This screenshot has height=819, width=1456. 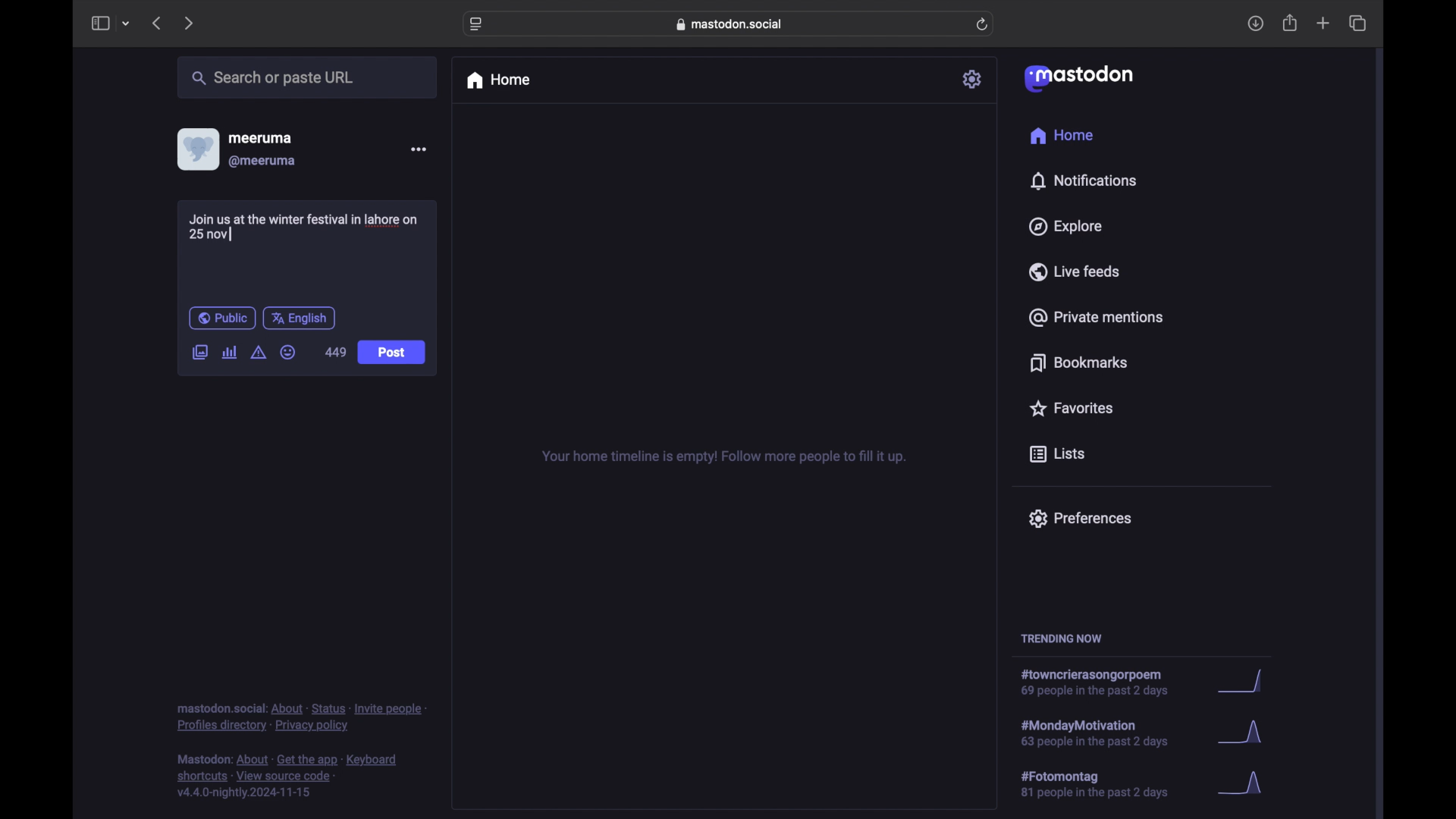 What do you see at coordinates (1079, 517) in the screenshot?
I see `preferences` at bounding box center [1079, 517].